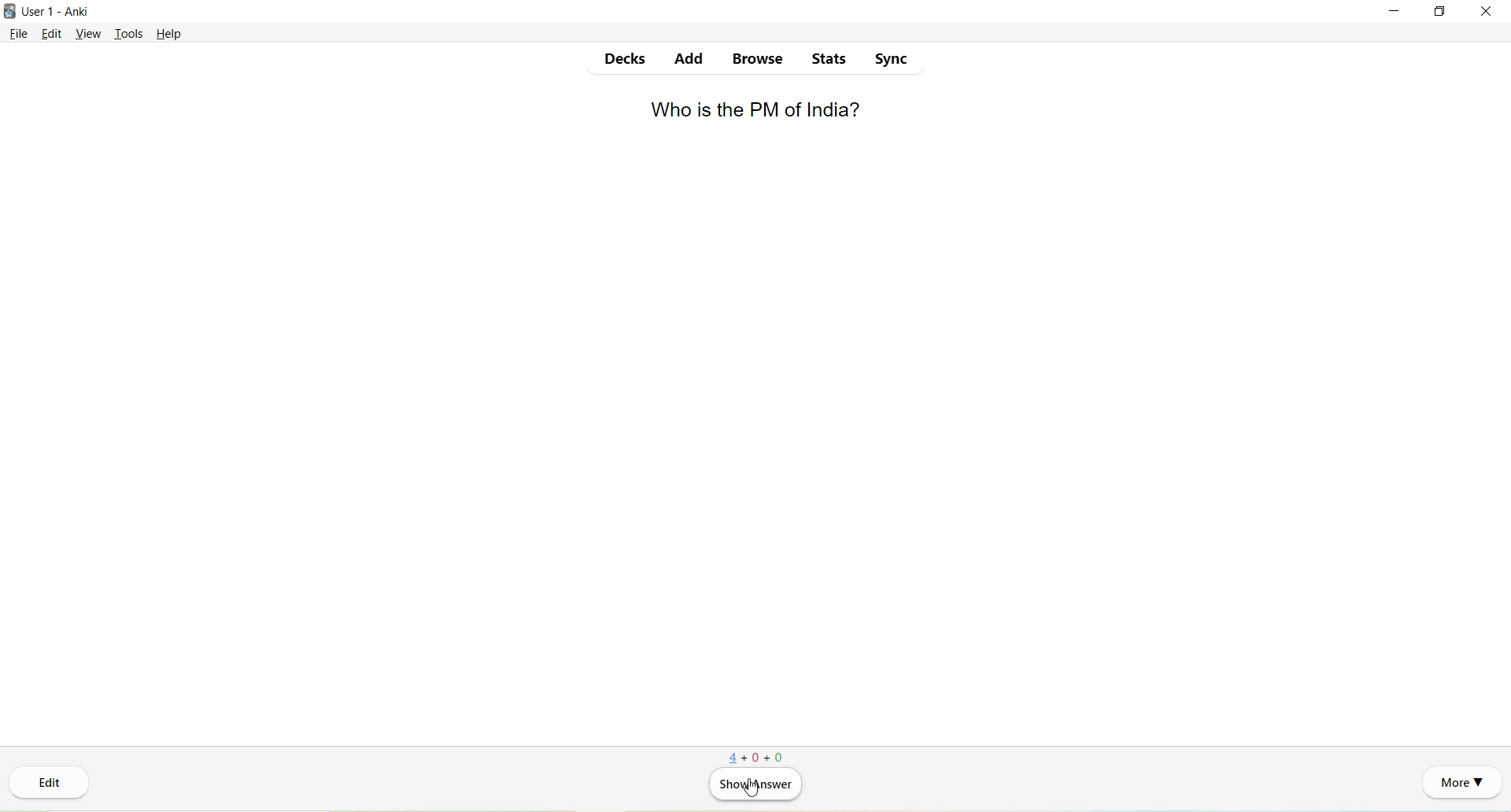  Describe the element at coordinates (756, 113) in the screenshot. I see `Who is the PM of India?` at that location.